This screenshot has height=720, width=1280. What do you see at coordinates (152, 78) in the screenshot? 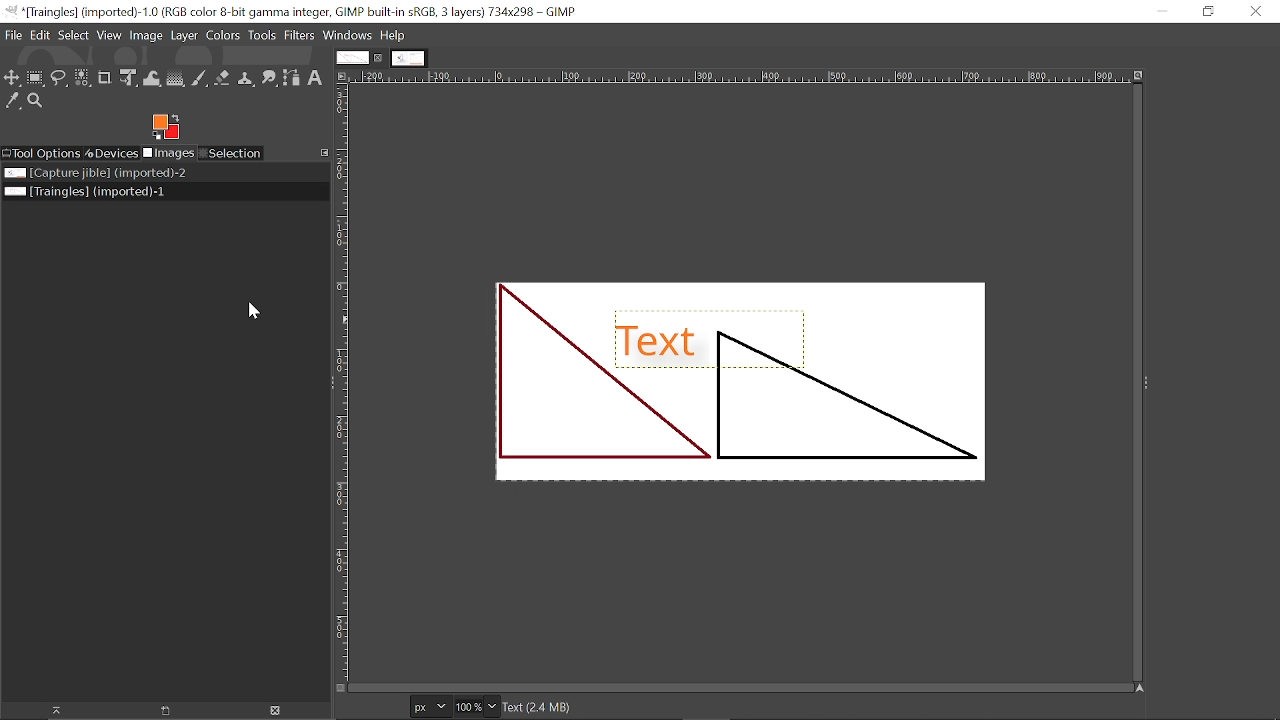
I see `Wrap text tool` at bounding box center [152, 78].